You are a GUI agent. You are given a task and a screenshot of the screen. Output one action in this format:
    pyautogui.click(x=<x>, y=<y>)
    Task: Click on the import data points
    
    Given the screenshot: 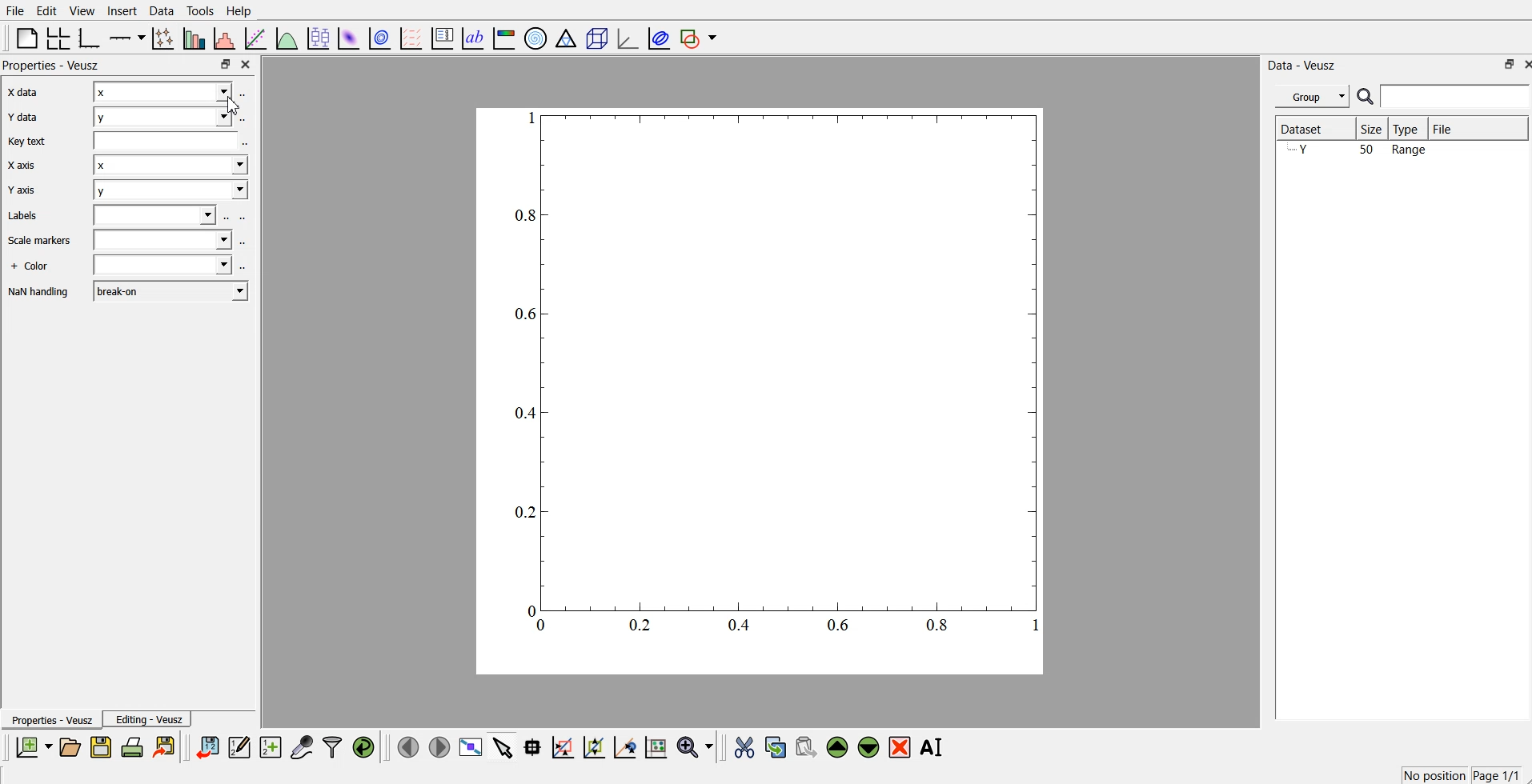 What is the action you would take?
    pyautogui.click(x=208, y=748)
    